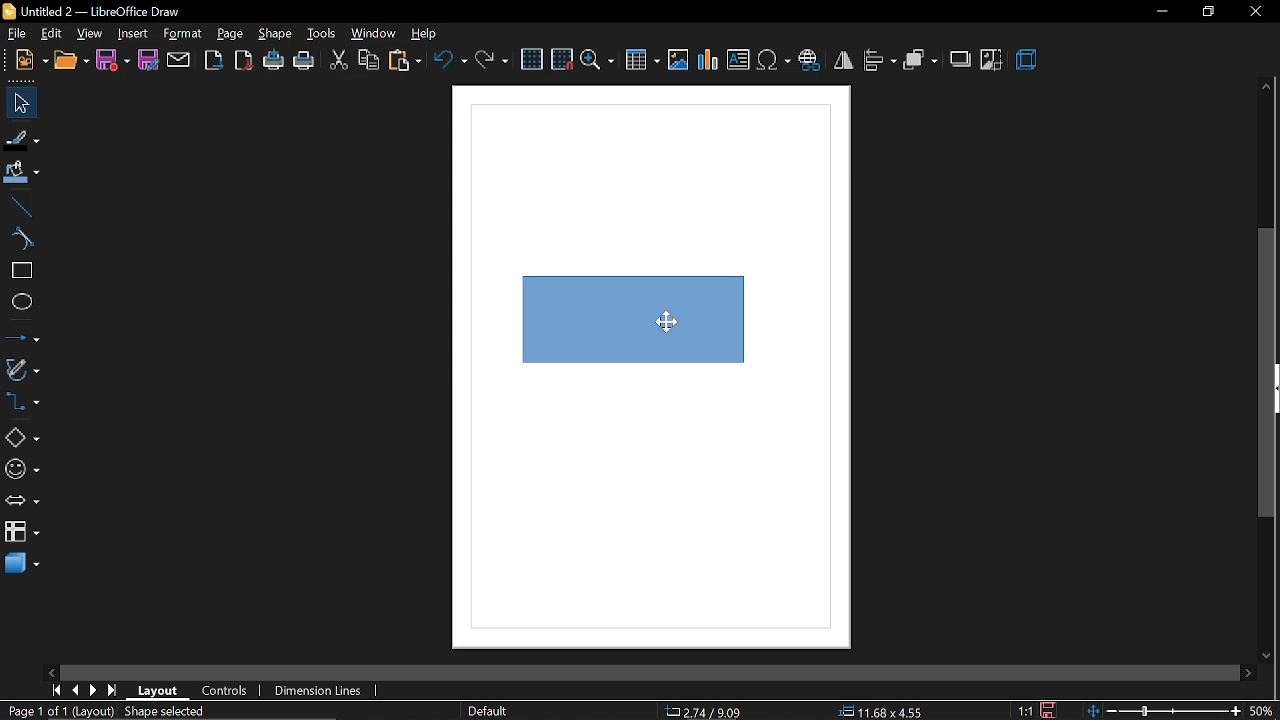 This screenshot has width=1280, height=720. I want to click on export as pdf, so click(245, 60).